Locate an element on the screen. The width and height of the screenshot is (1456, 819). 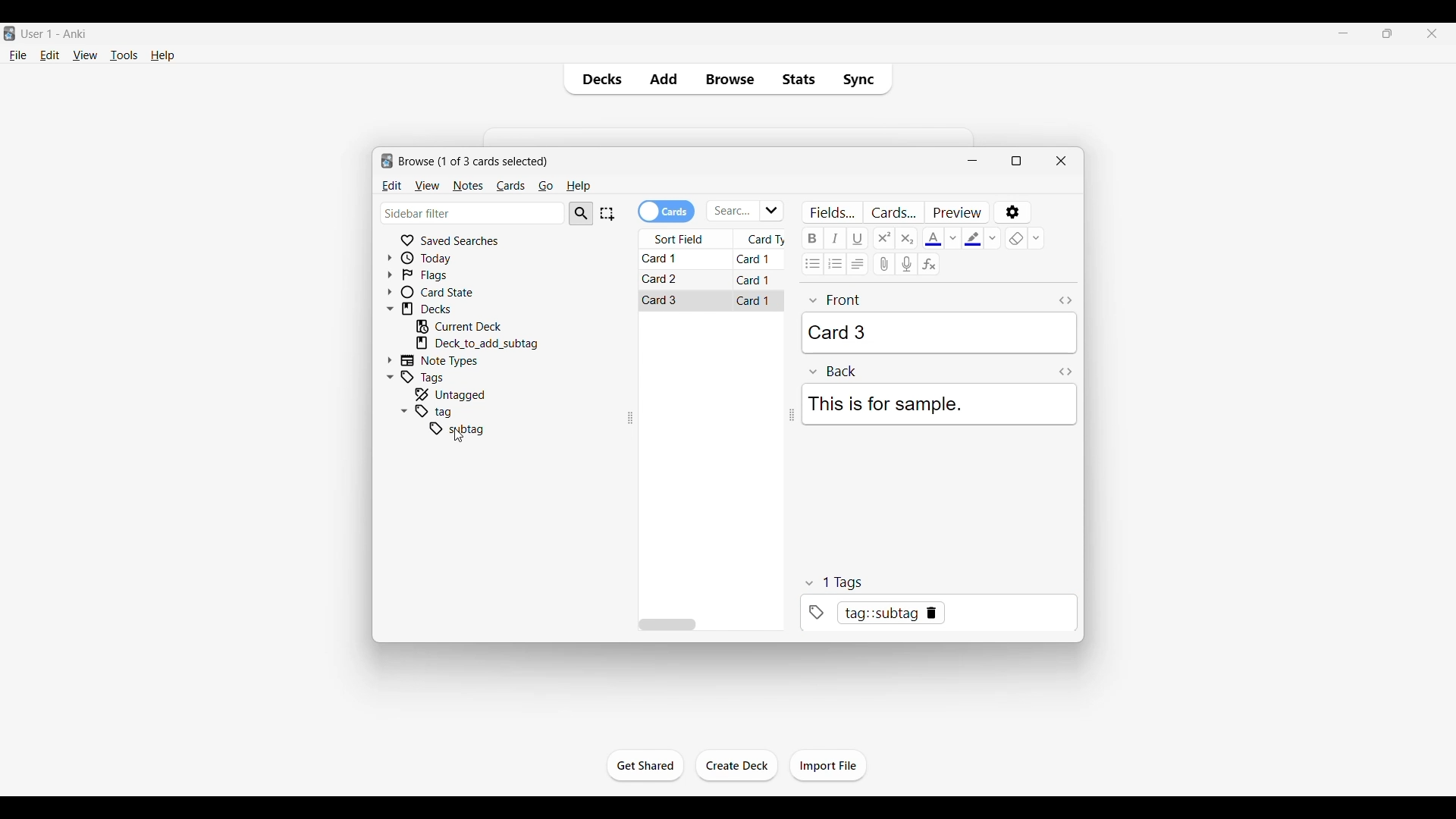
Minimize is located at coordinates (1343, 33).